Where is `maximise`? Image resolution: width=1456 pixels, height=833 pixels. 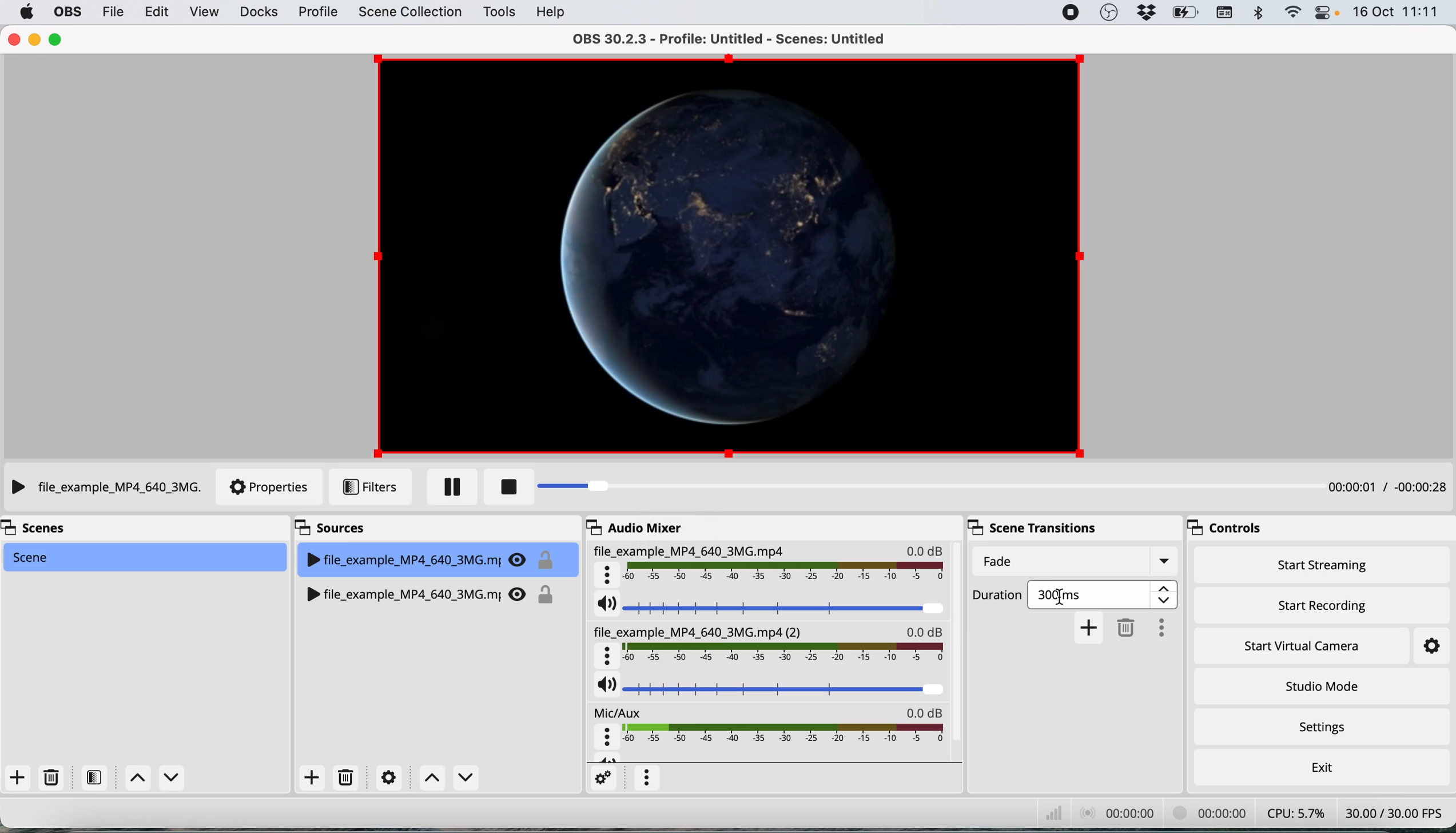 maximise is located at coordinates (54, 39).